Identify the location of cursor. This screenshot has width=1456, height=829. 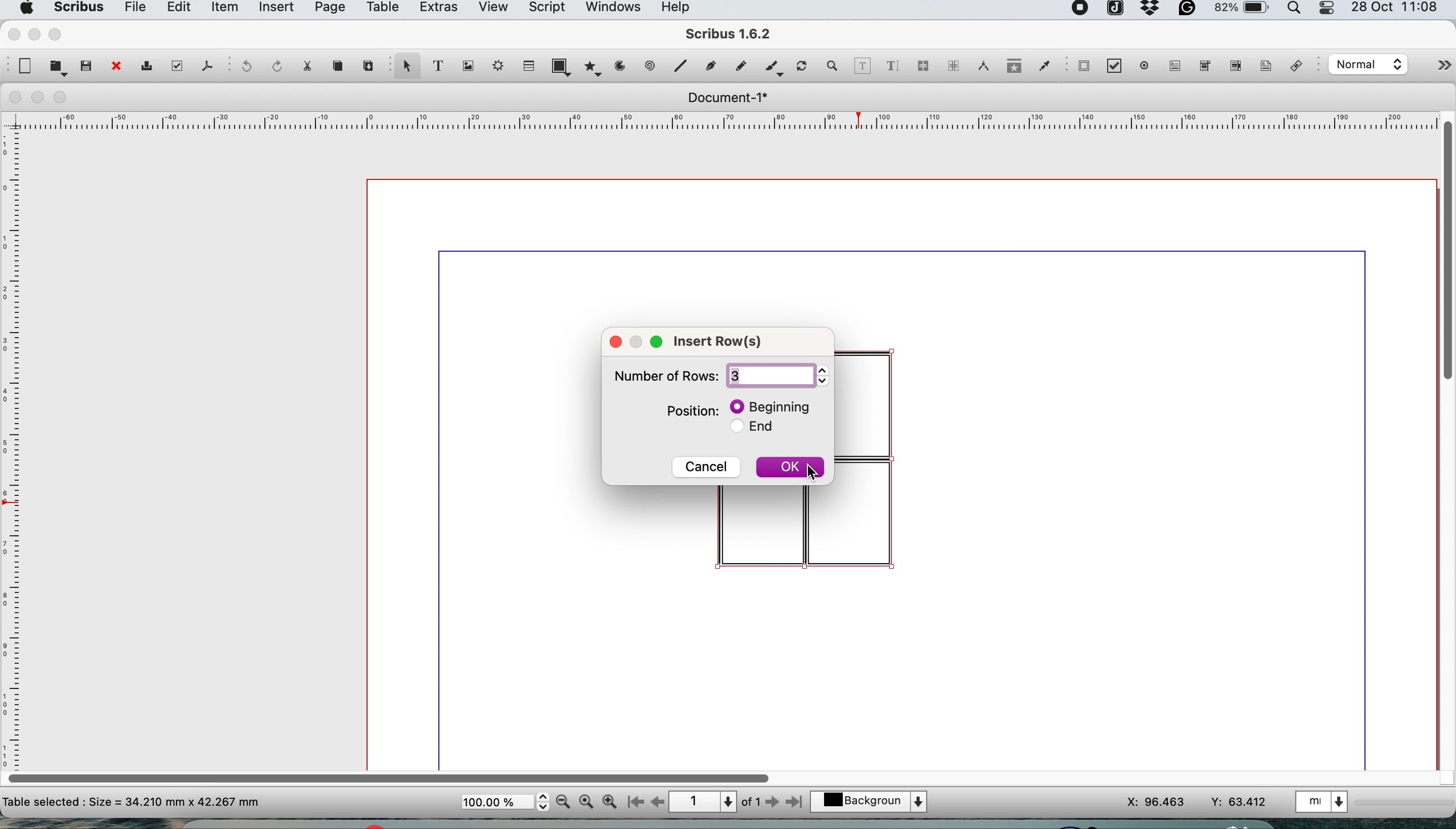
(813, 474).